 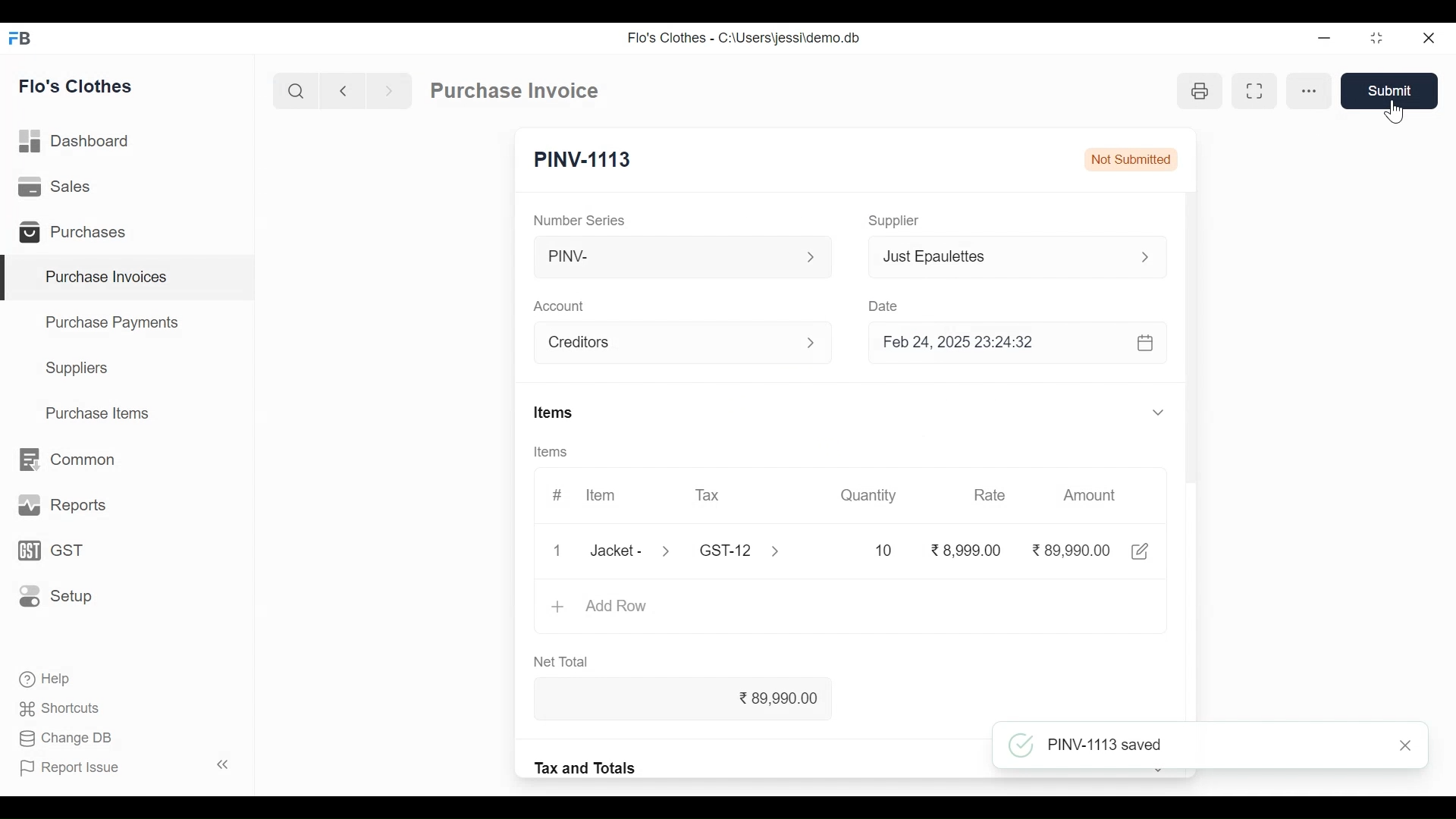 What do you see at coordinates (82, 142) in the screenshot?
I see `Dashboard` at bounding box center [82, 142].